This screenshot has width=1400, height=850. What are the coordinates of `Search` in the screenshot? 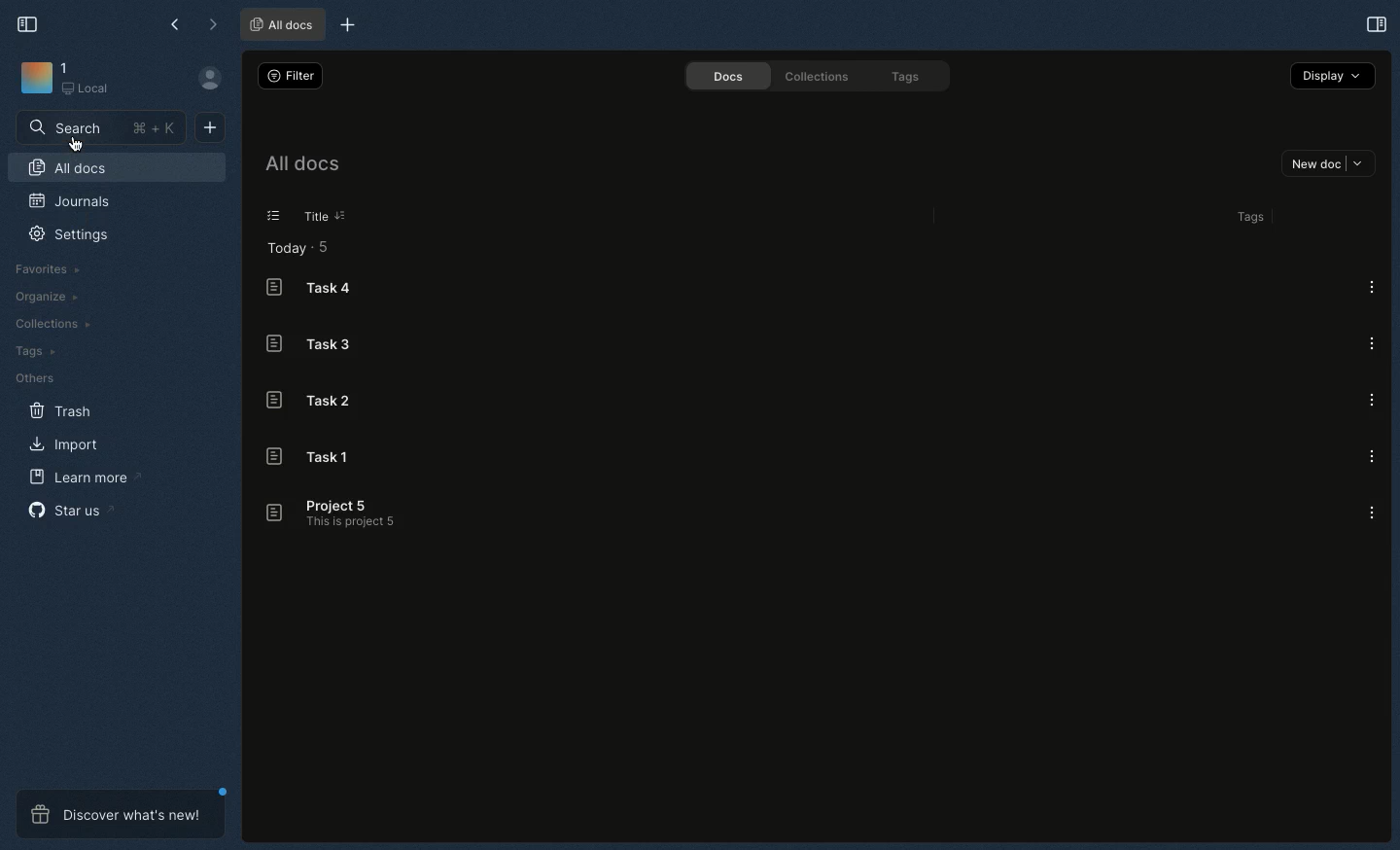 It's located at (102, 130).